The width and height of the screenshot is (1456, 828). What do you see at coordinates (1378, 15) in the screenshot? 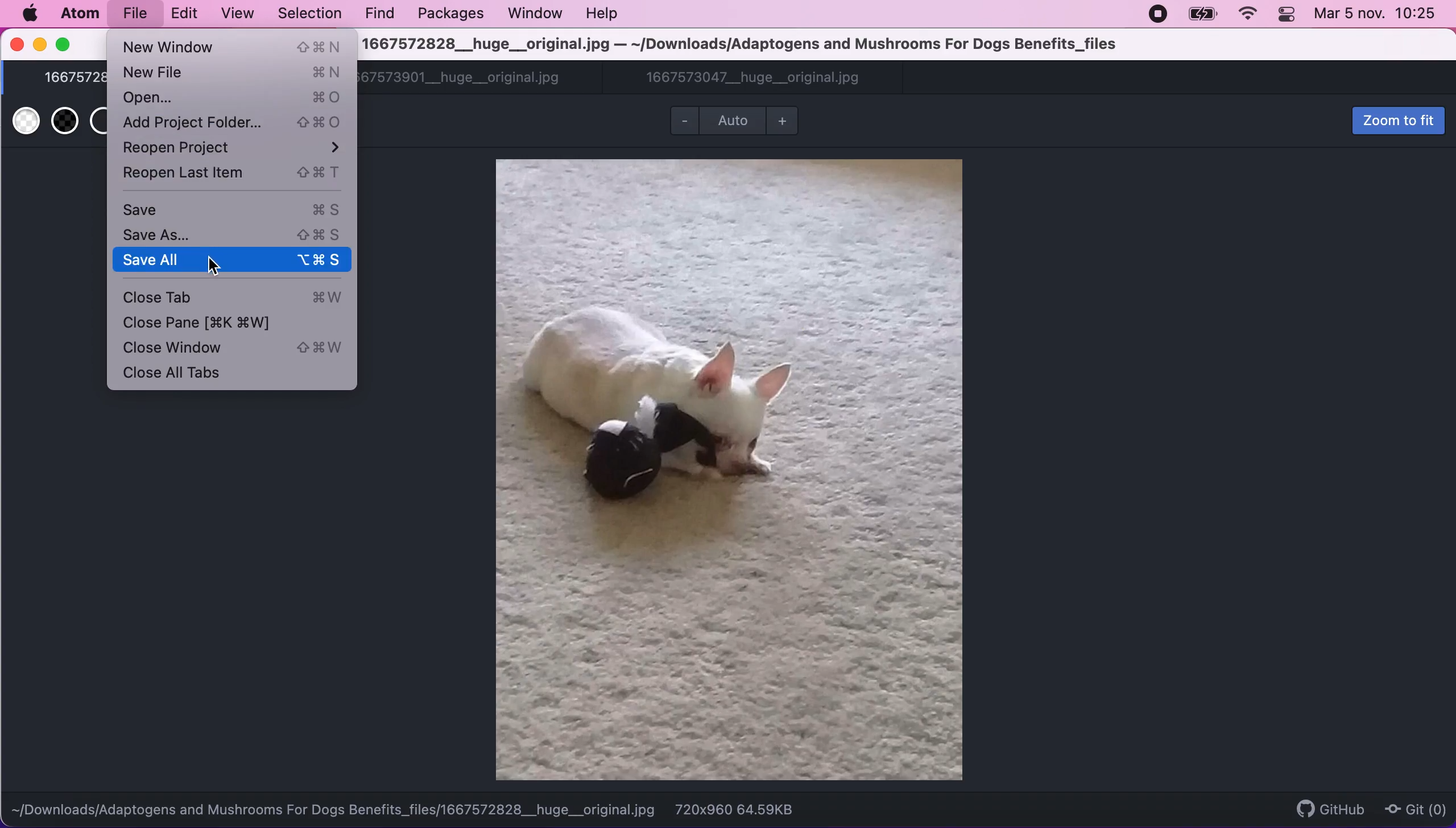
I see `Mar 5 nov. 10:25` at bounding box center [1378, 15].